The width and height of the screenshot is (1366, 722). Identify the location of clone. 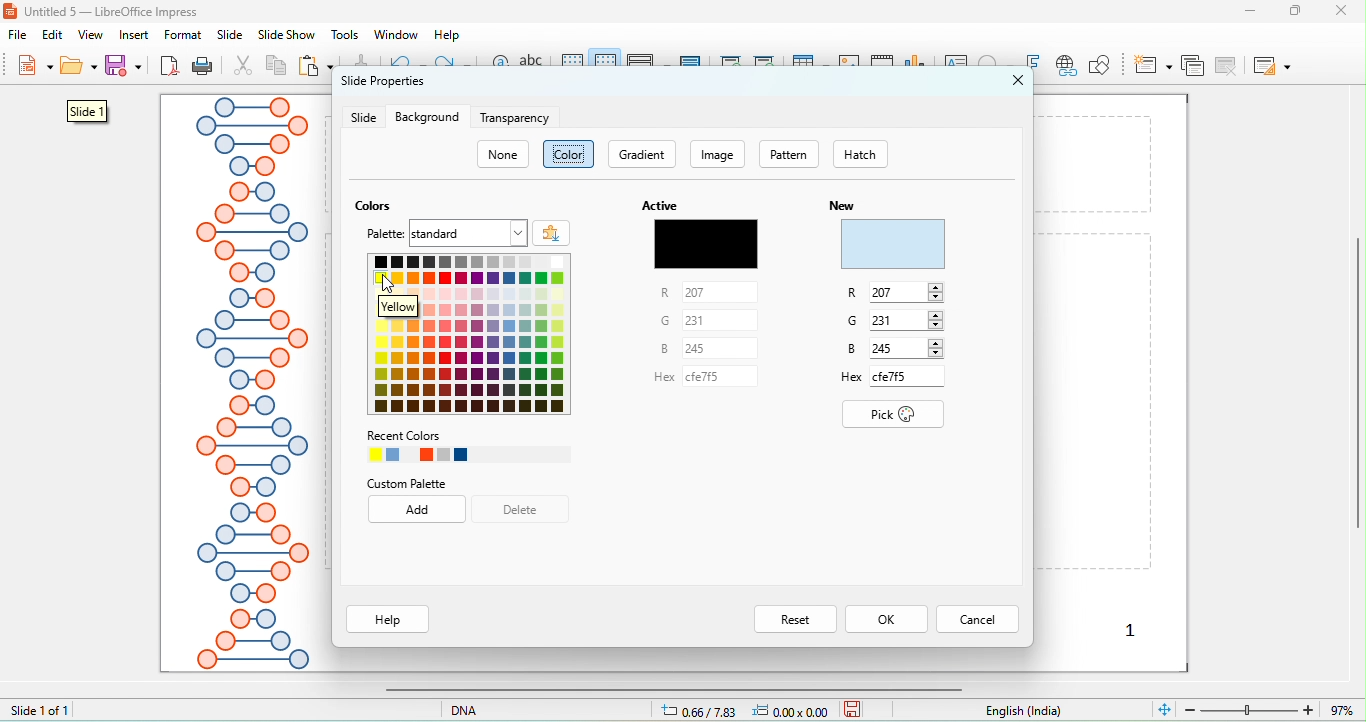
(359, 61).